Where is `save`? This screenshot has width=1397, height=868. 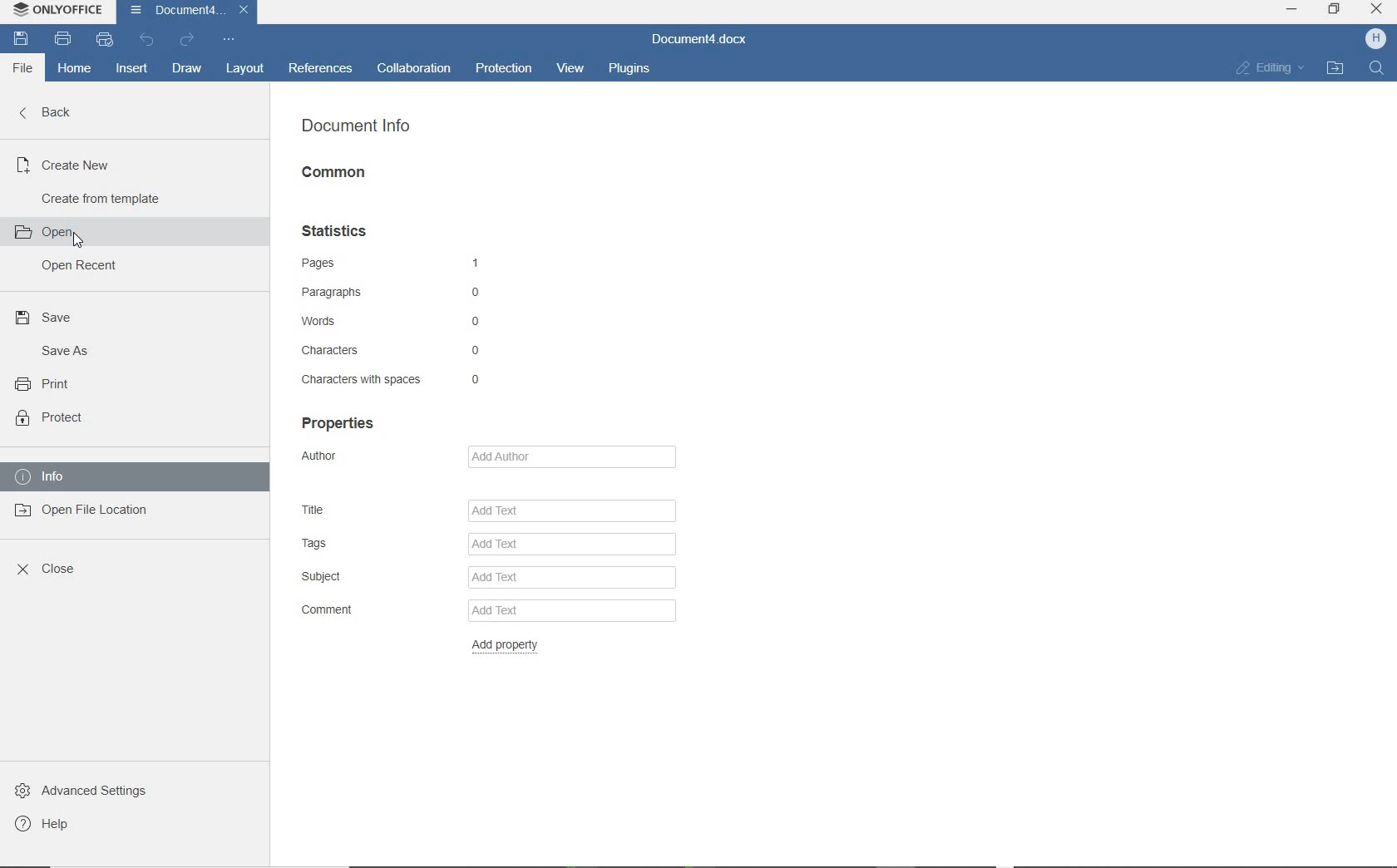 save is located at coordinates (46, 319).